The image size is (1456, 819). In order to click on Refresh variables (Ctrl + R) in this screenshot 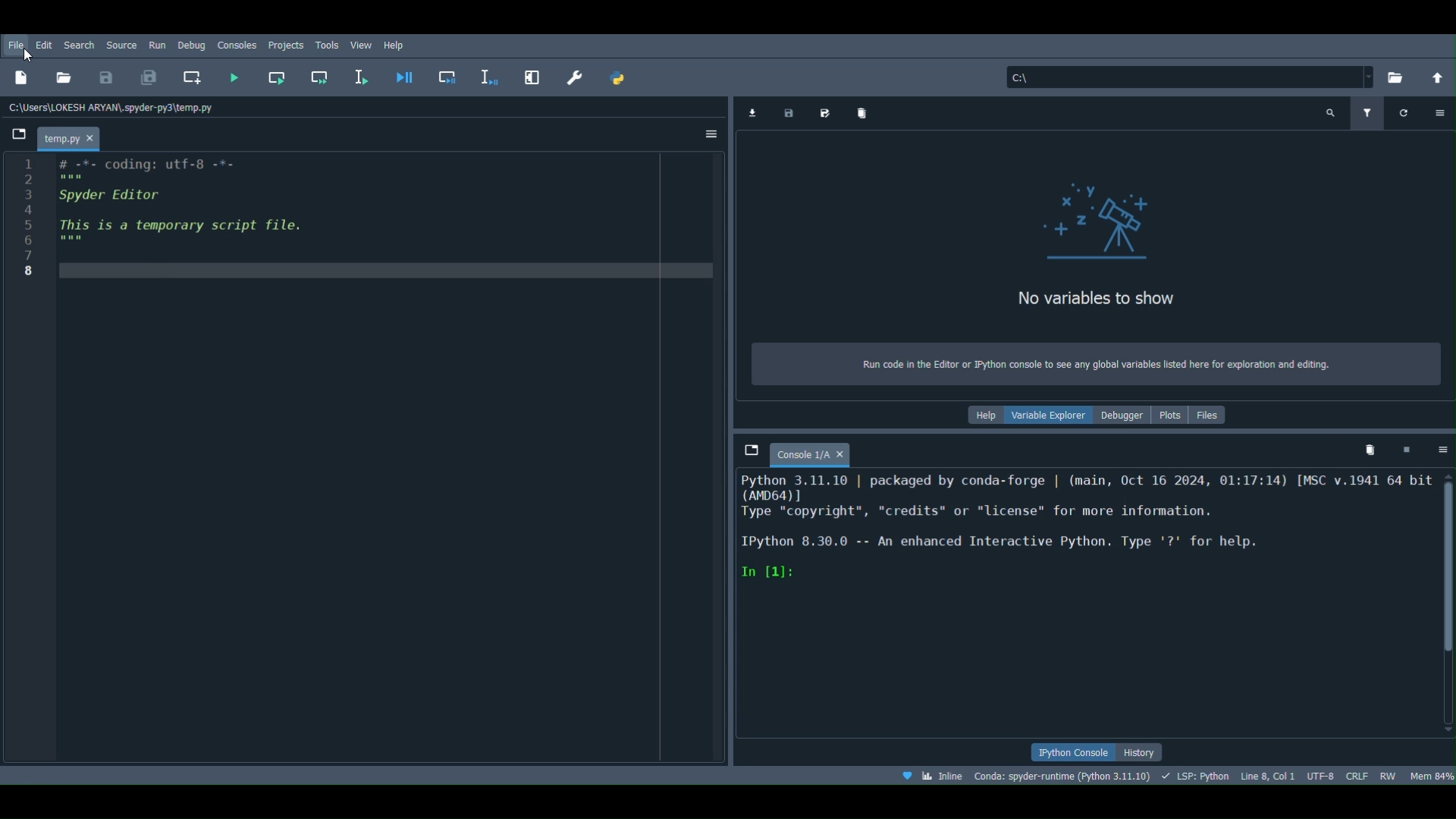, I will do `click(1401, 112)`.